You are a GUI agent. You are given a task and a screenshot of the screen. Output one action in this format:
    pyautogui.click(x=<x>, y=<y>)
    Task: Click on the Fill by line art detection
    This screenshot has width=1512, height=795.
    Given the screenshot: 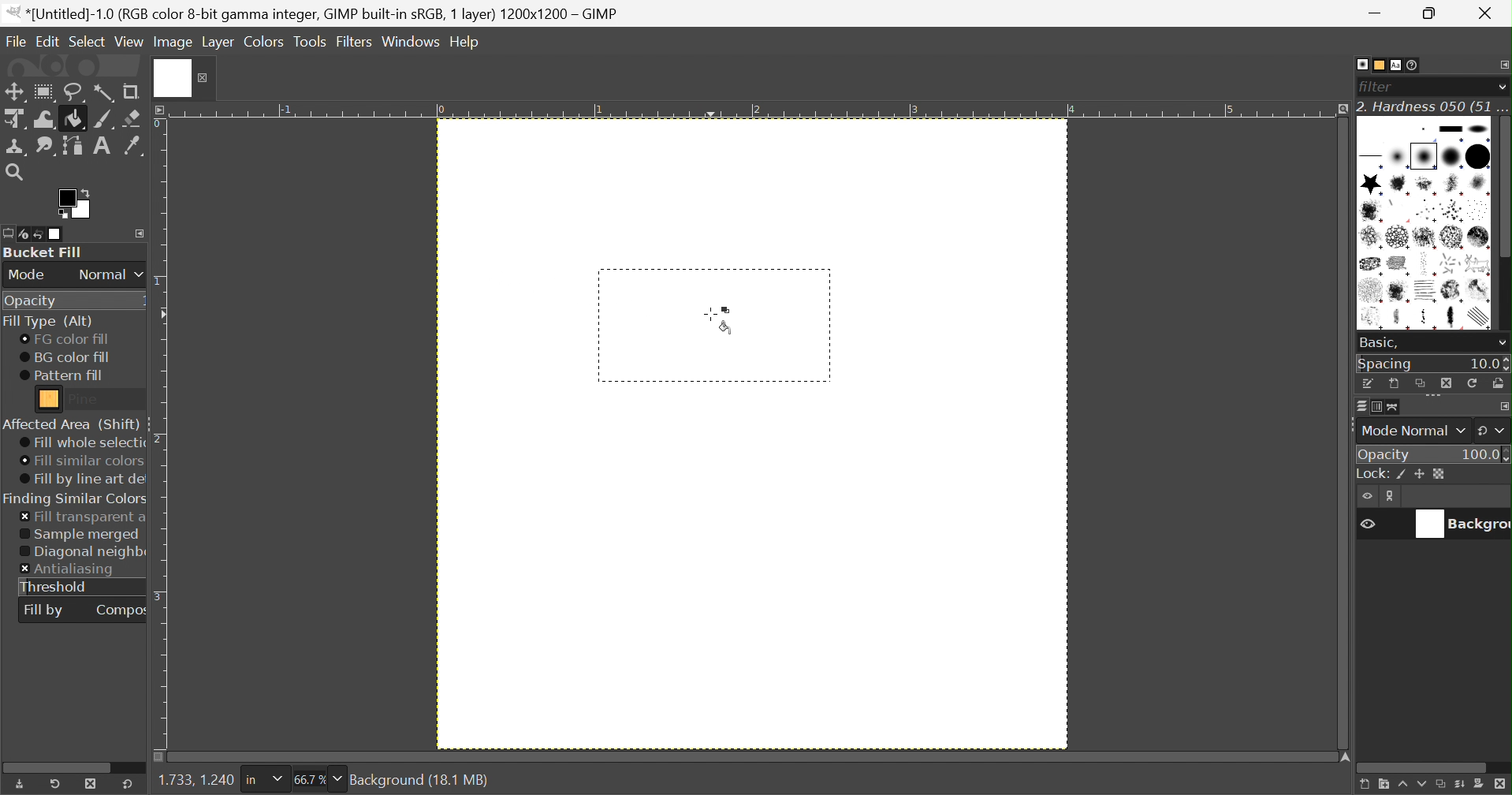 What is the action you would take?
    pyautogui.click(x=84, y=480)
    